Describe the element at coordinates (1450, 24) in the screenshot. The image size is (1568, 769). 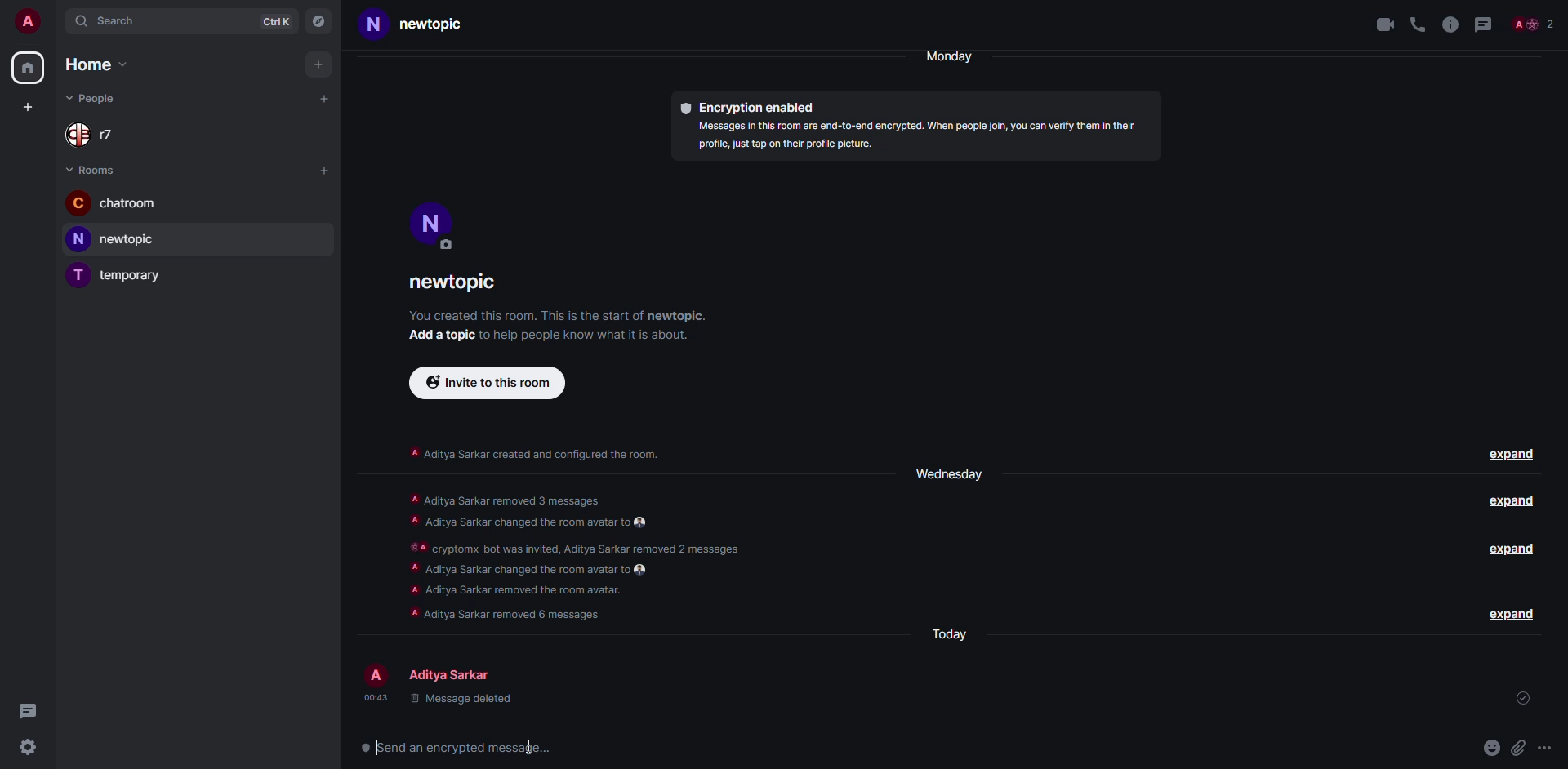
I see `info` at that location.